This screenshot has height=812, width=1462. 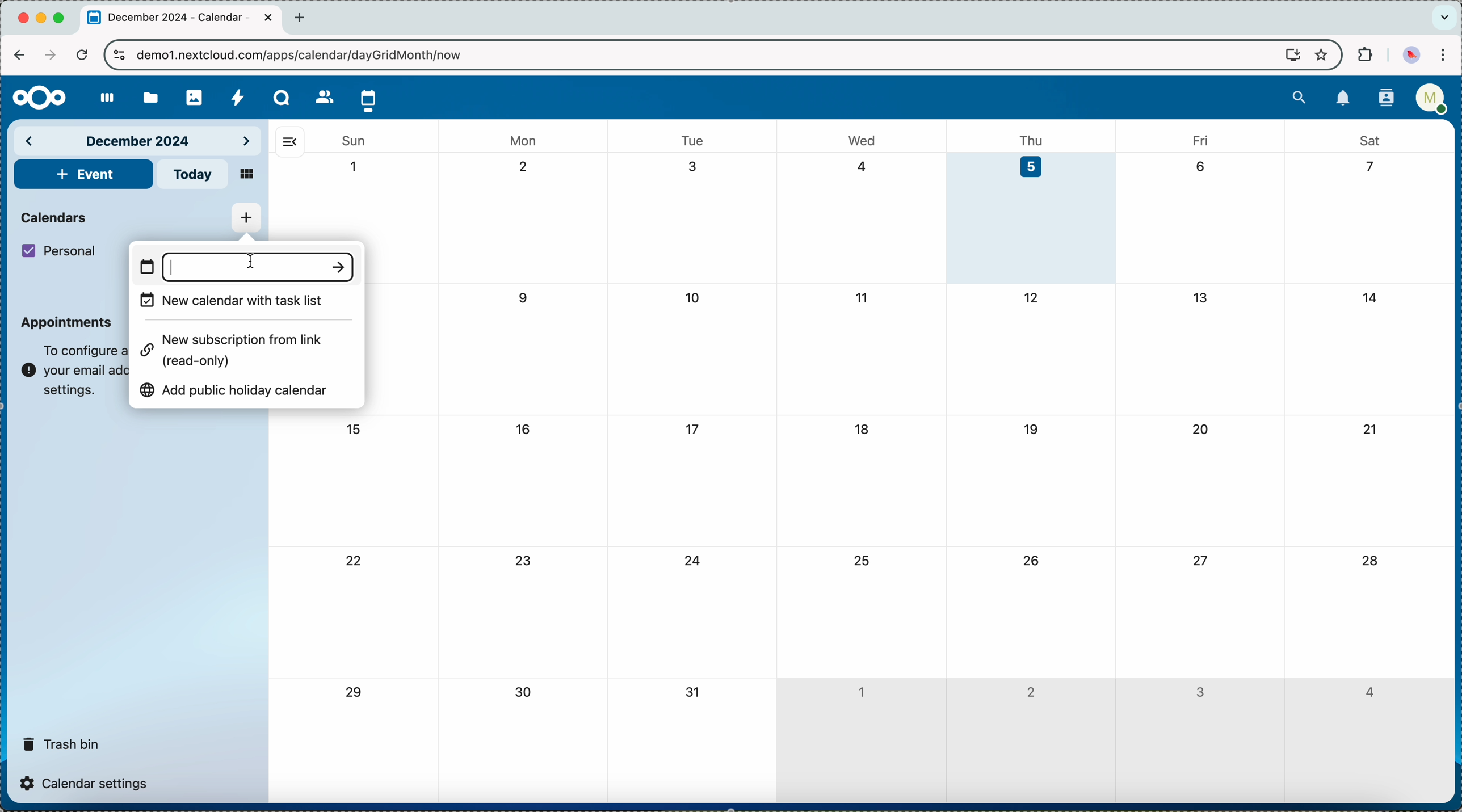 I want to click on 7, so click(x=1365, y=167).